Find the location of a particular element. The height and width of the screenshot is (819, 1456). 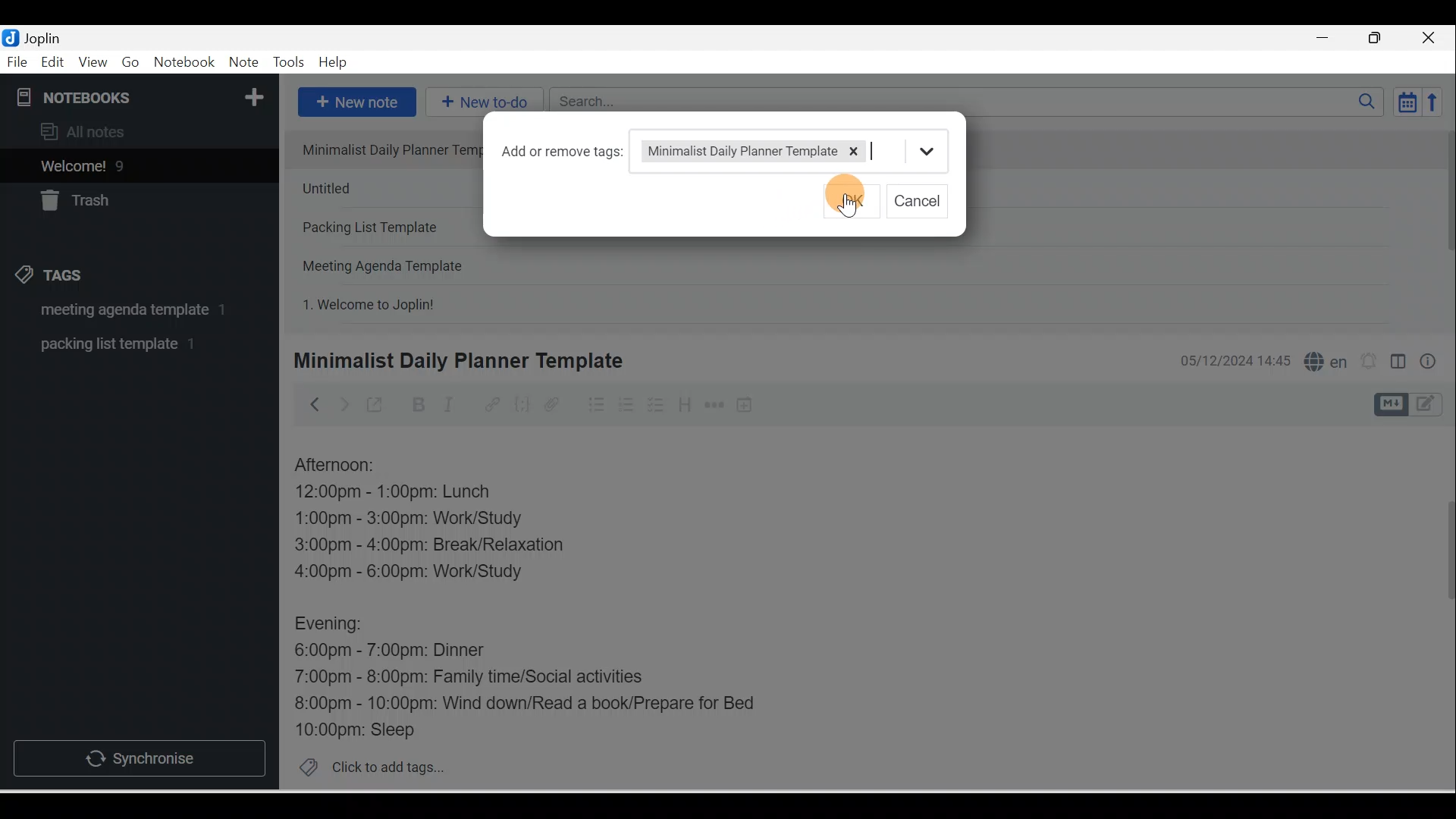

Tag 1 is located at coordinates (119, 311).